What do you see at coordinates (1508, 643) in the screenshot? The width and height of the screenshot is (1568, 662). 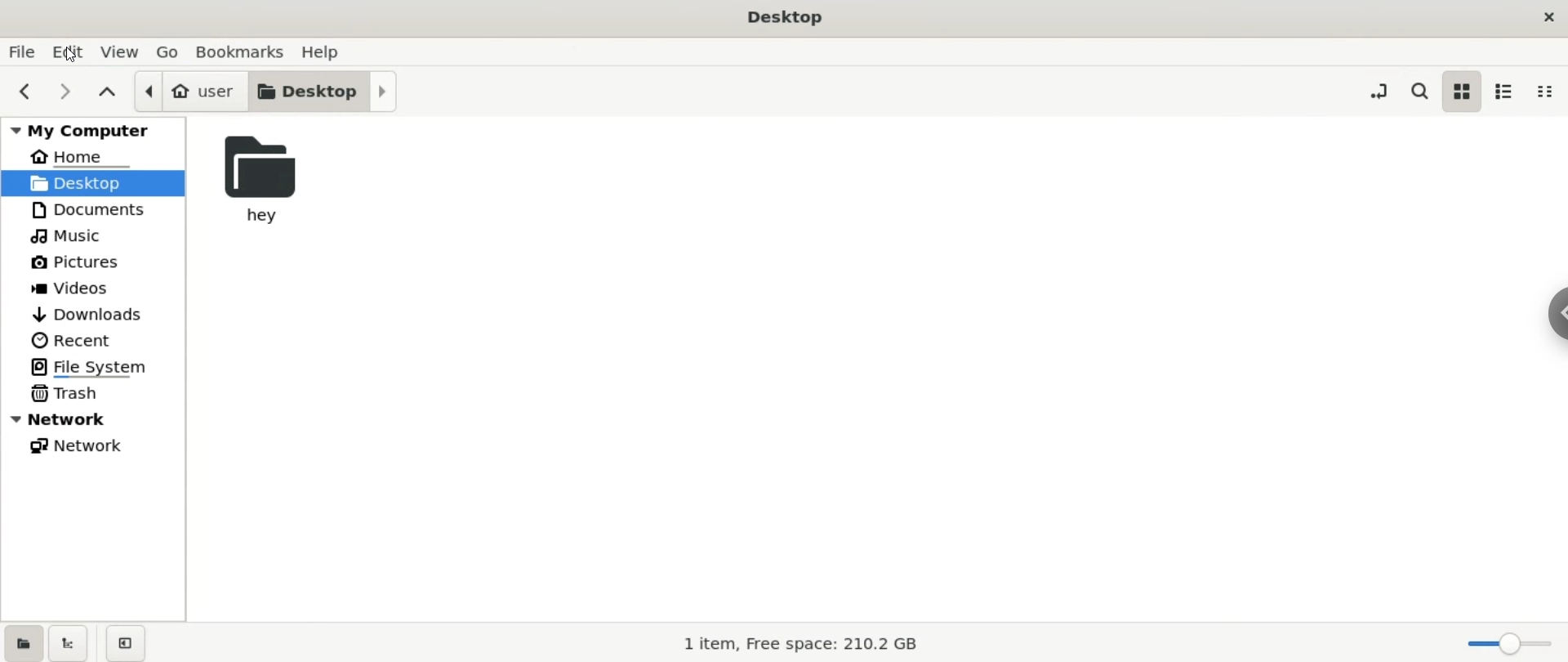 I see `zoom` at bounding box center [1508, 643].